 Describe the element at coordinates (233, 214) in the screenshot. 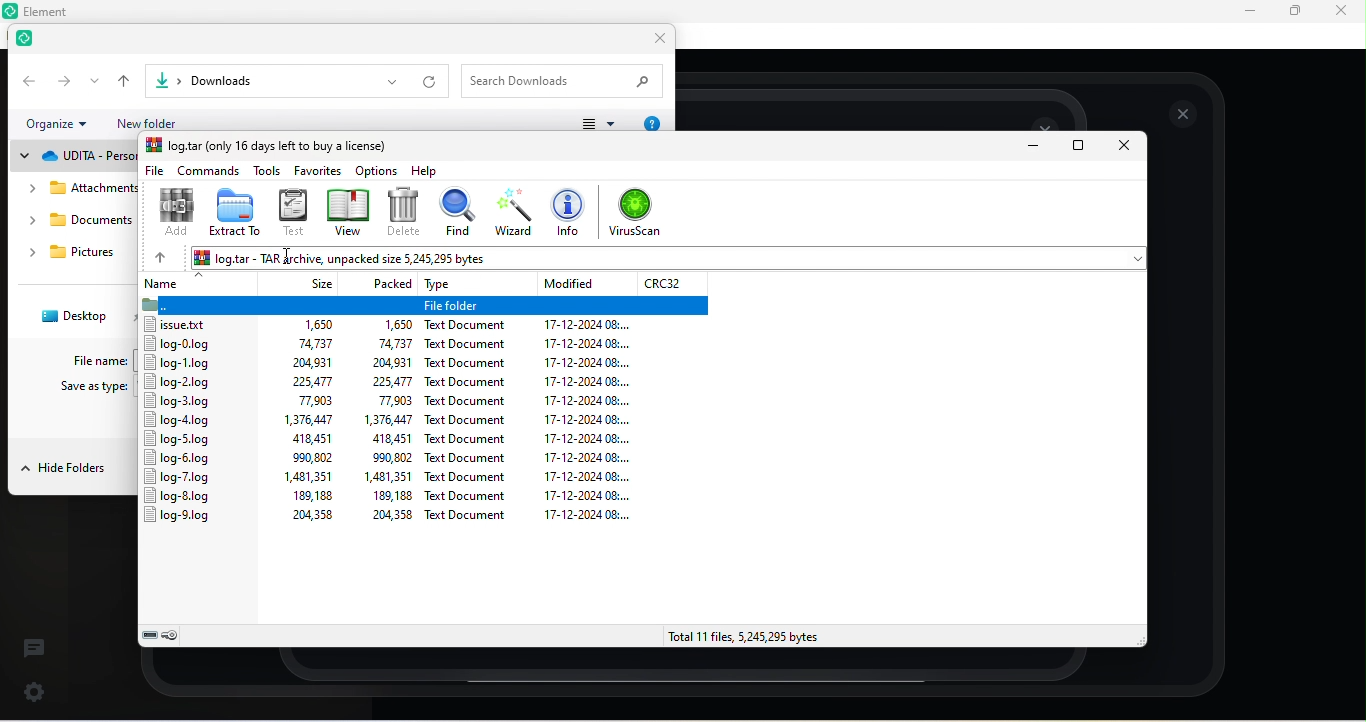

I see `extract to` at that location.